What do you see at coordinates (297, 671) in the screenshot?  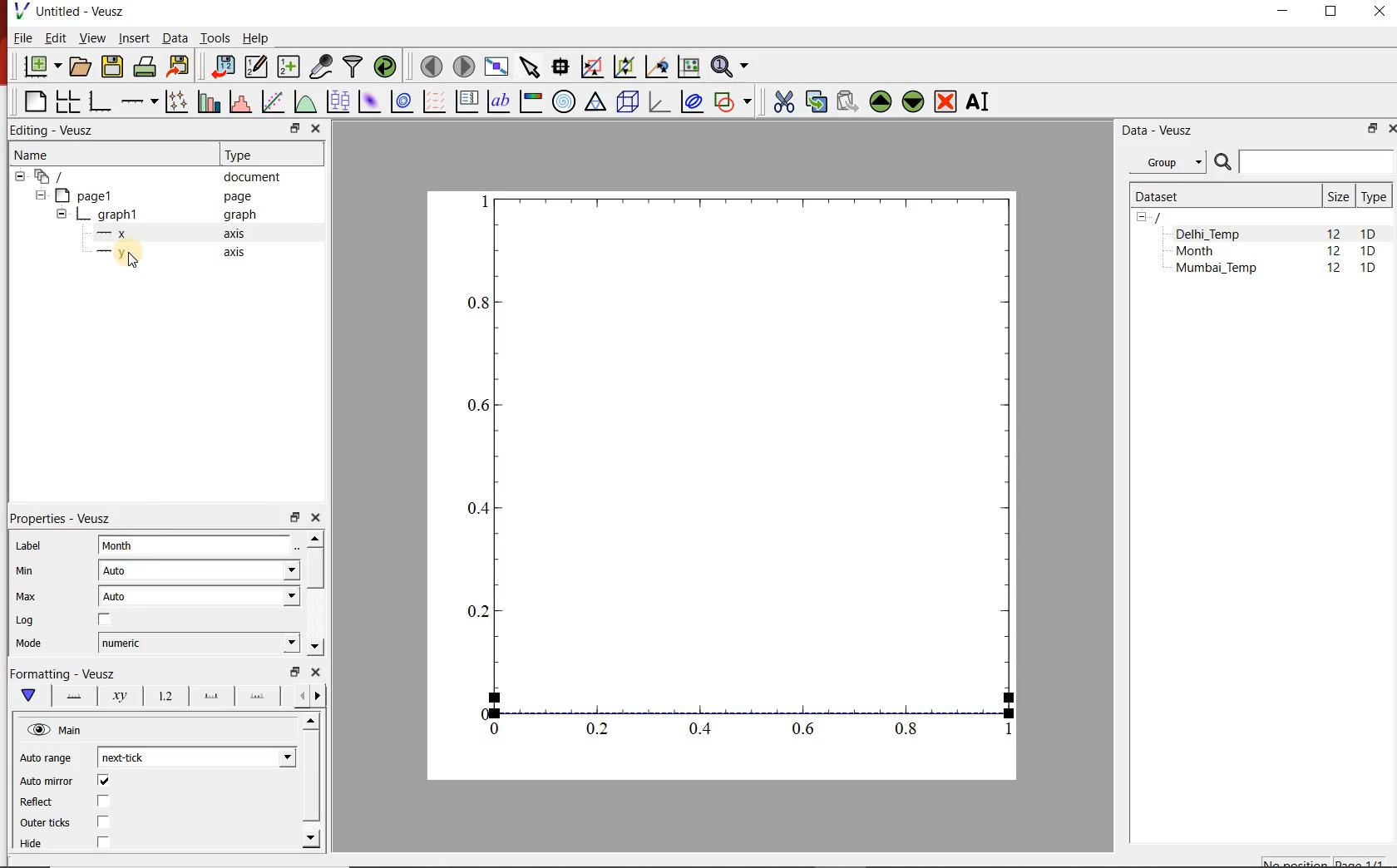 I see `restore` at bounding box center [297, 671].